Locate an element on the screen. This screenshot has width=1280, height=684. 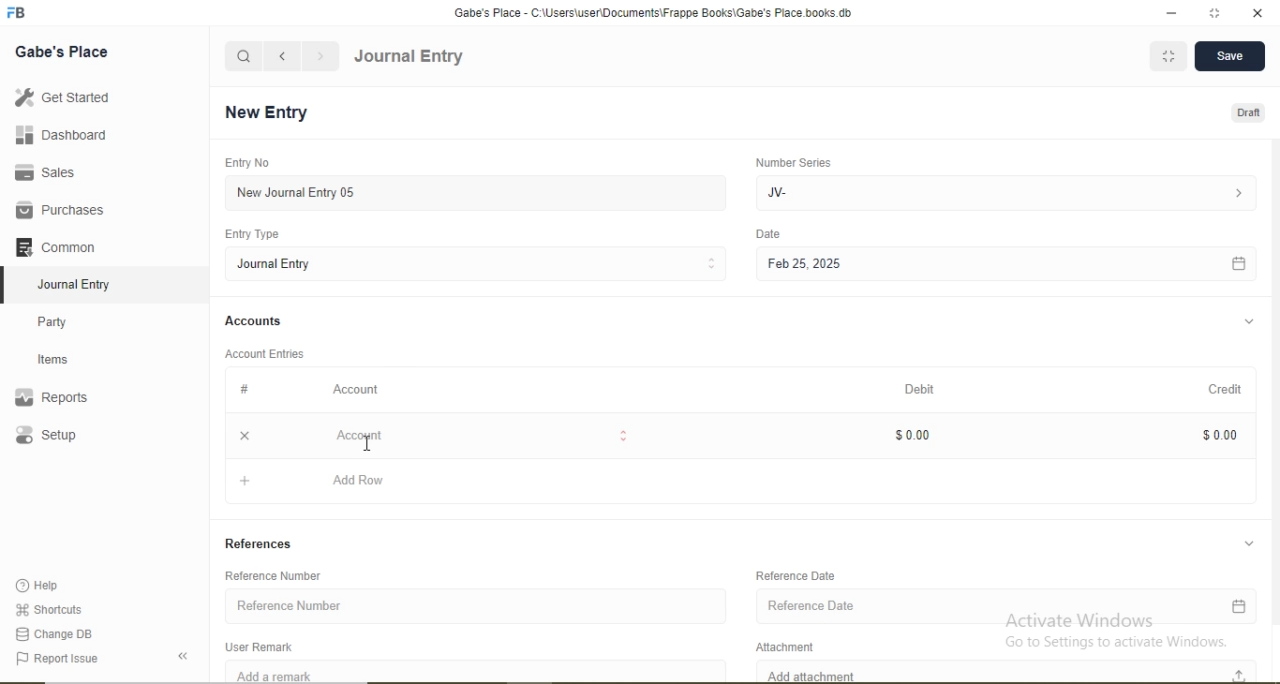
Purchases is located at coordinates (60, 210).